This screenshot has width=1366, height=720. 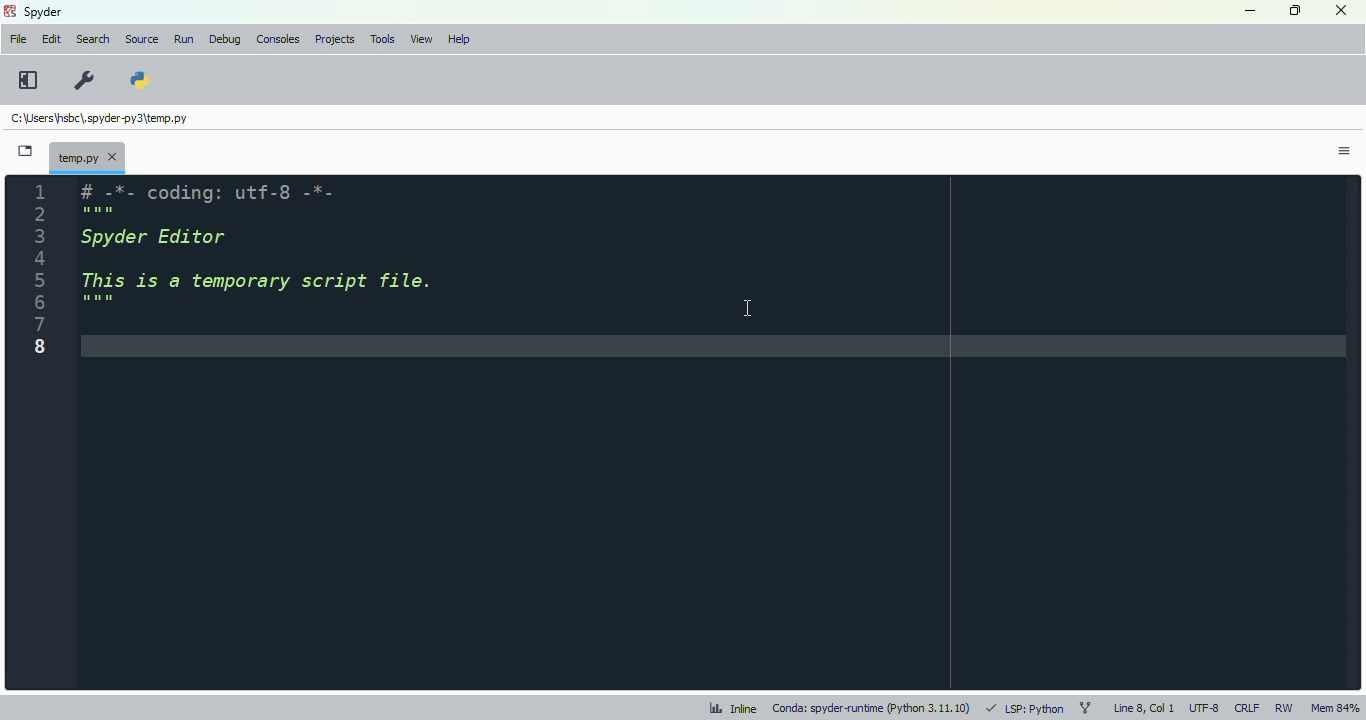 What do you see at coordinates (100, 119) in the screenshot?
I see `temporary file` at bounding box center [100, 119].